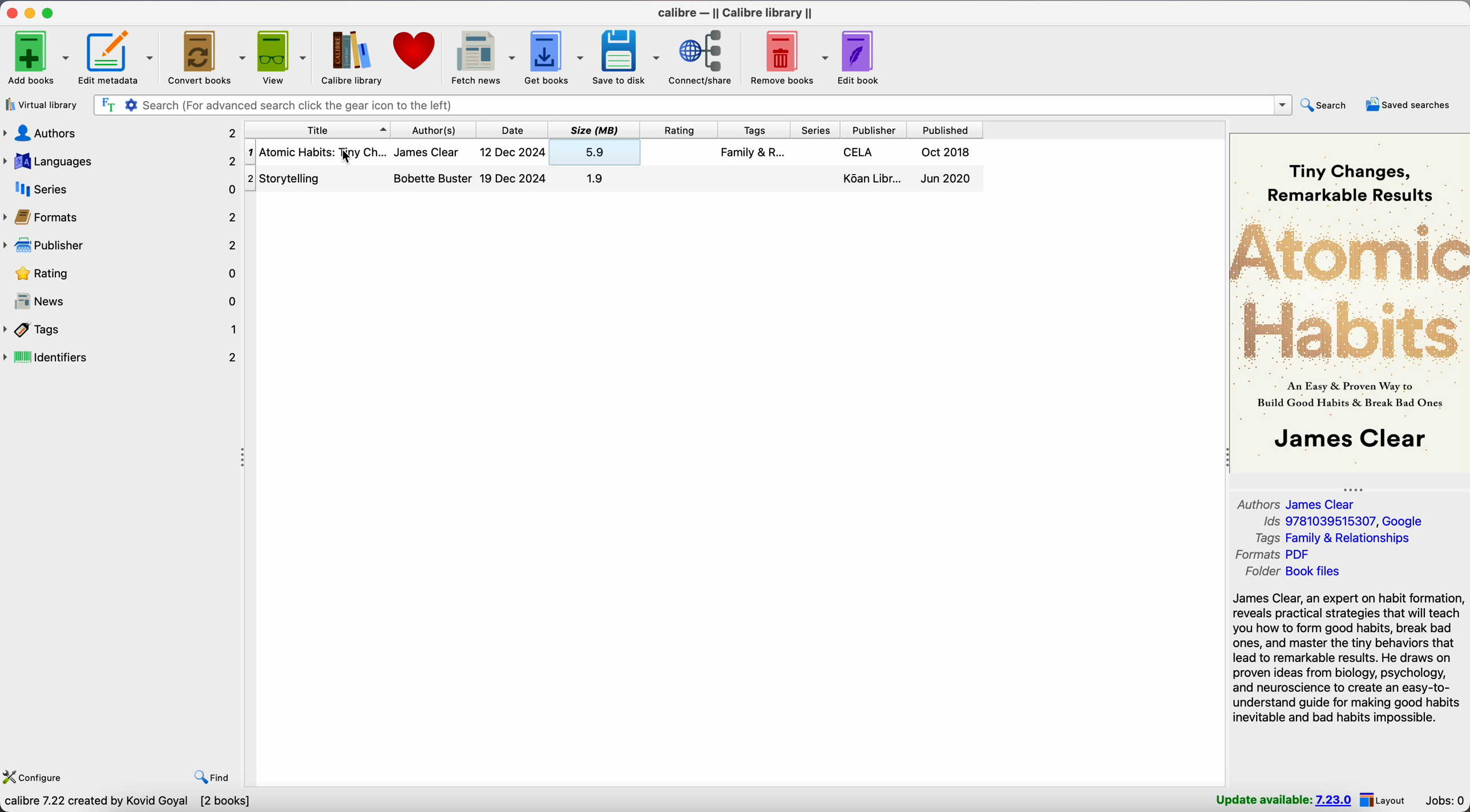 The image size is (1470, 812). I want to click on update available: 7.23.0, so click(1283, 800).